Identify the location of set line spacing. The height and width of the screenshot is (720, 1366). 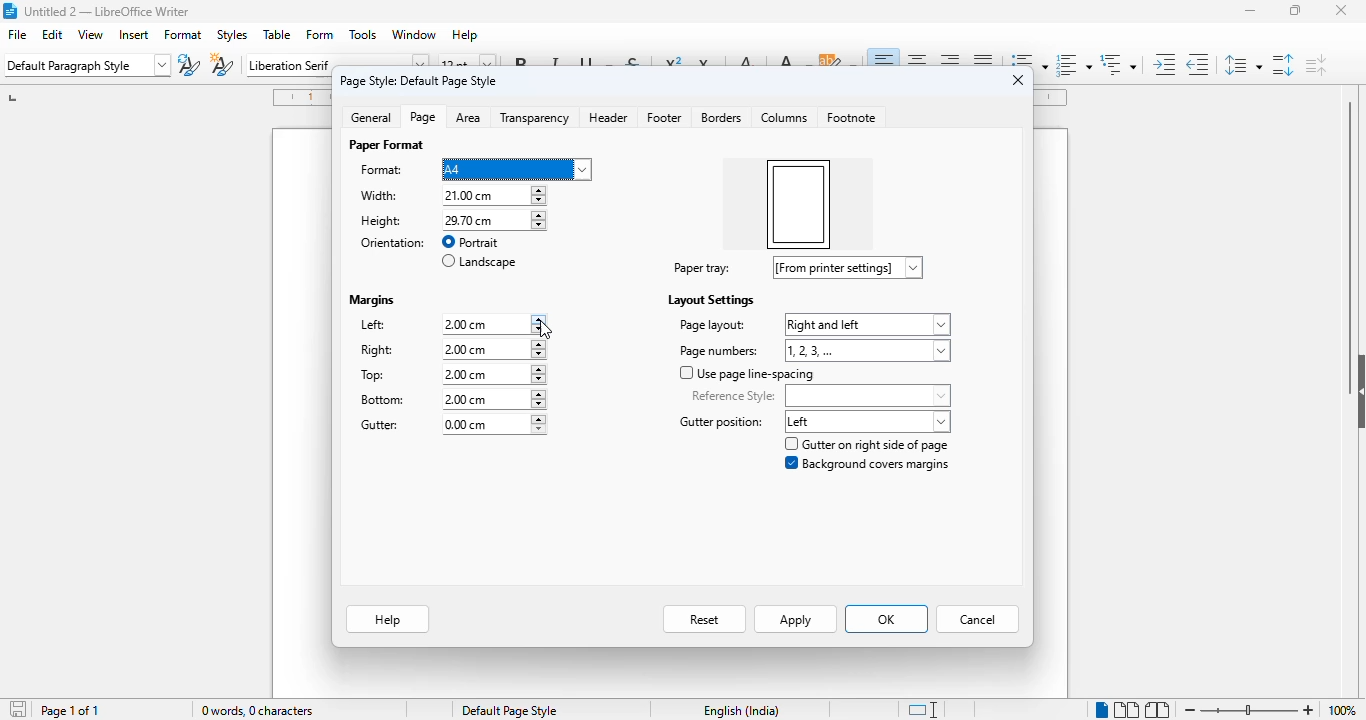
(1242, 65).